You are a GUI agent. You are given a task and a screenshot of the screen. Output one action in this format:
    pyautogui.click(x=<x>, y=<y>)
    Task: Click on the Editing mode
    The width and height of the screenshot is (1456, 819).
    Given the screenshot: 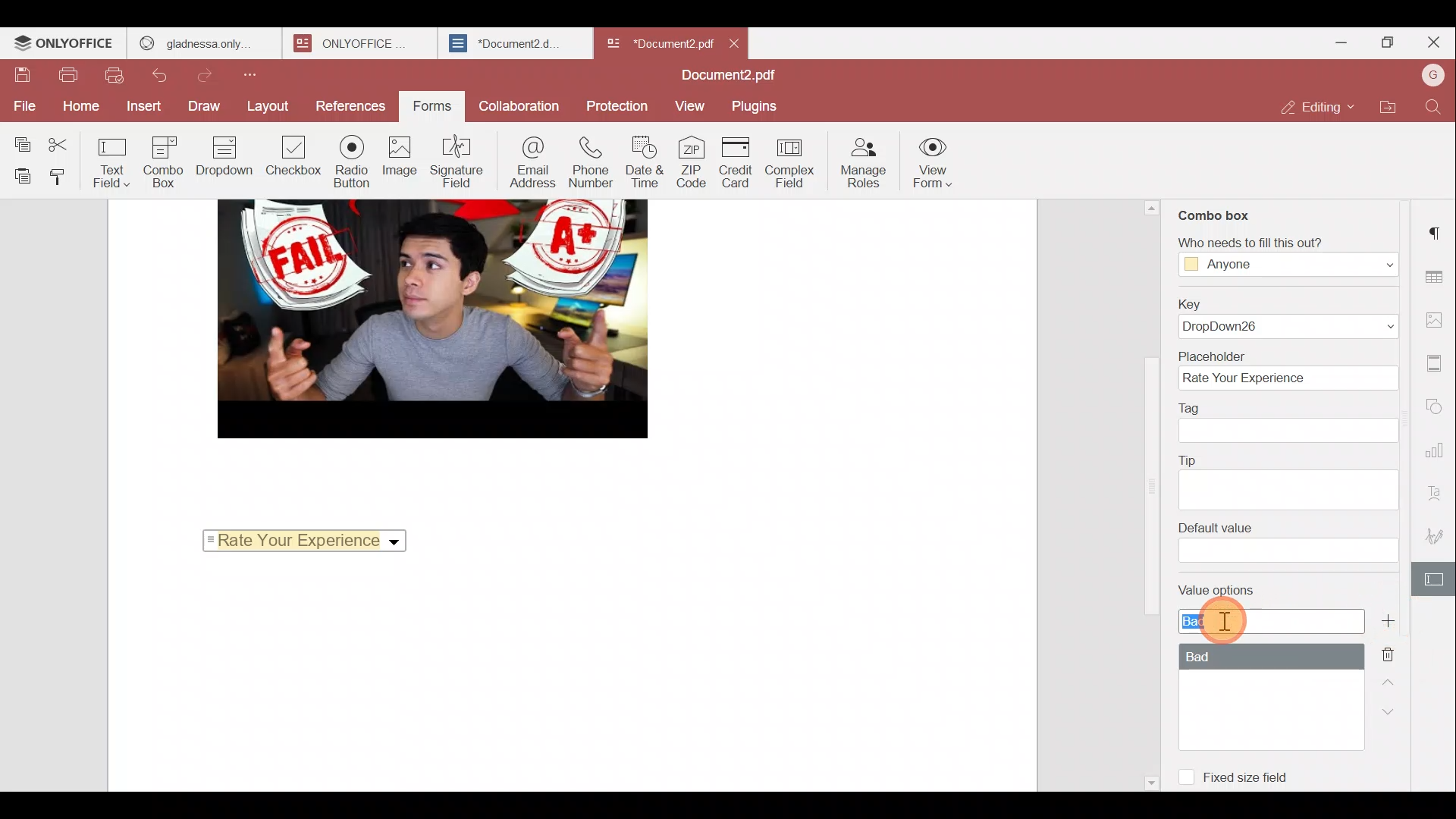 What is the action you would take?
    pyautogui.click(x=1316, y=108)
    